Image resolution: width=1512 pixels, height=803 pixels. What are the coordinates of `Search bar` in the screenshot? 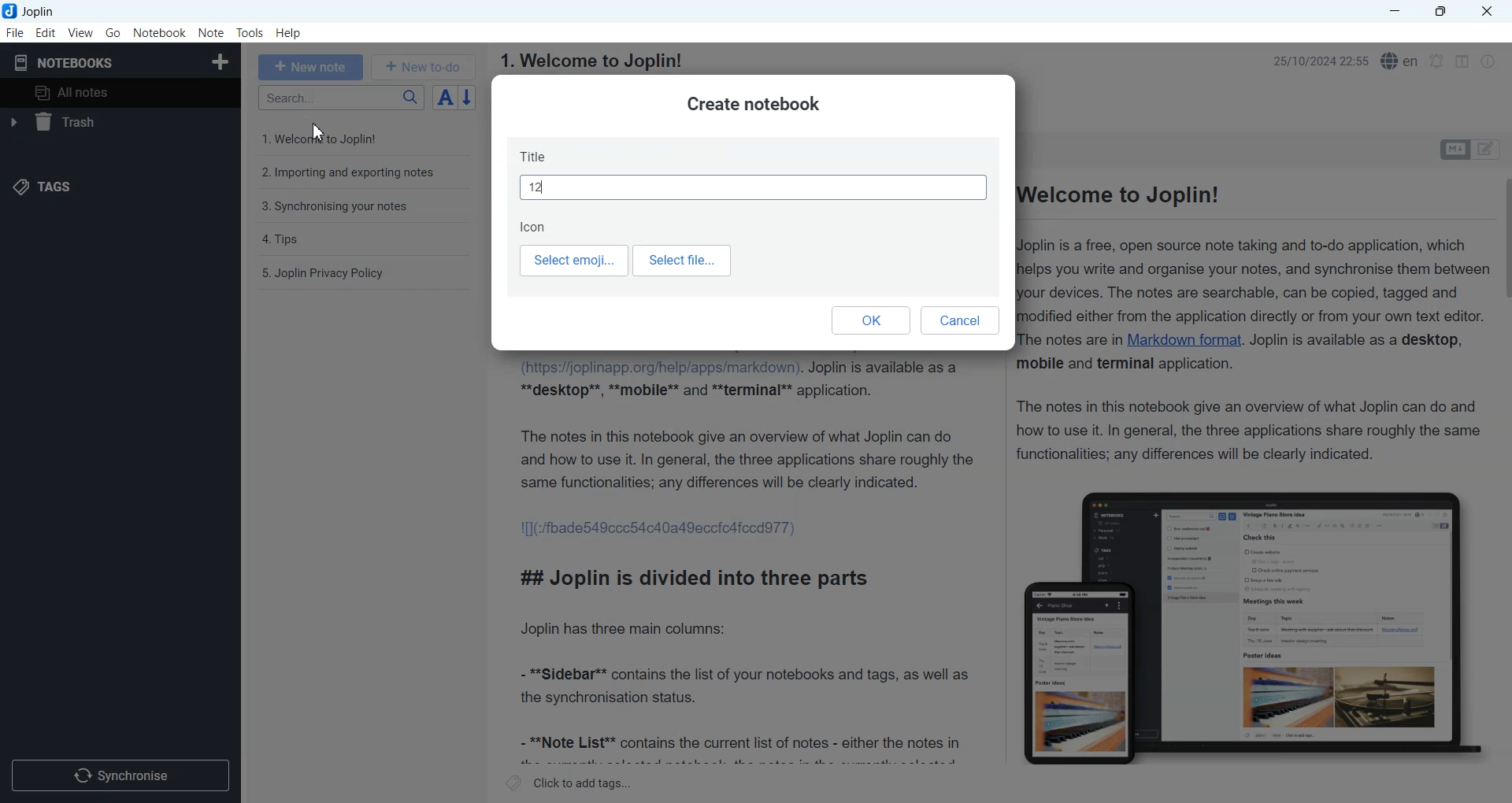 It's located at (341, 98).